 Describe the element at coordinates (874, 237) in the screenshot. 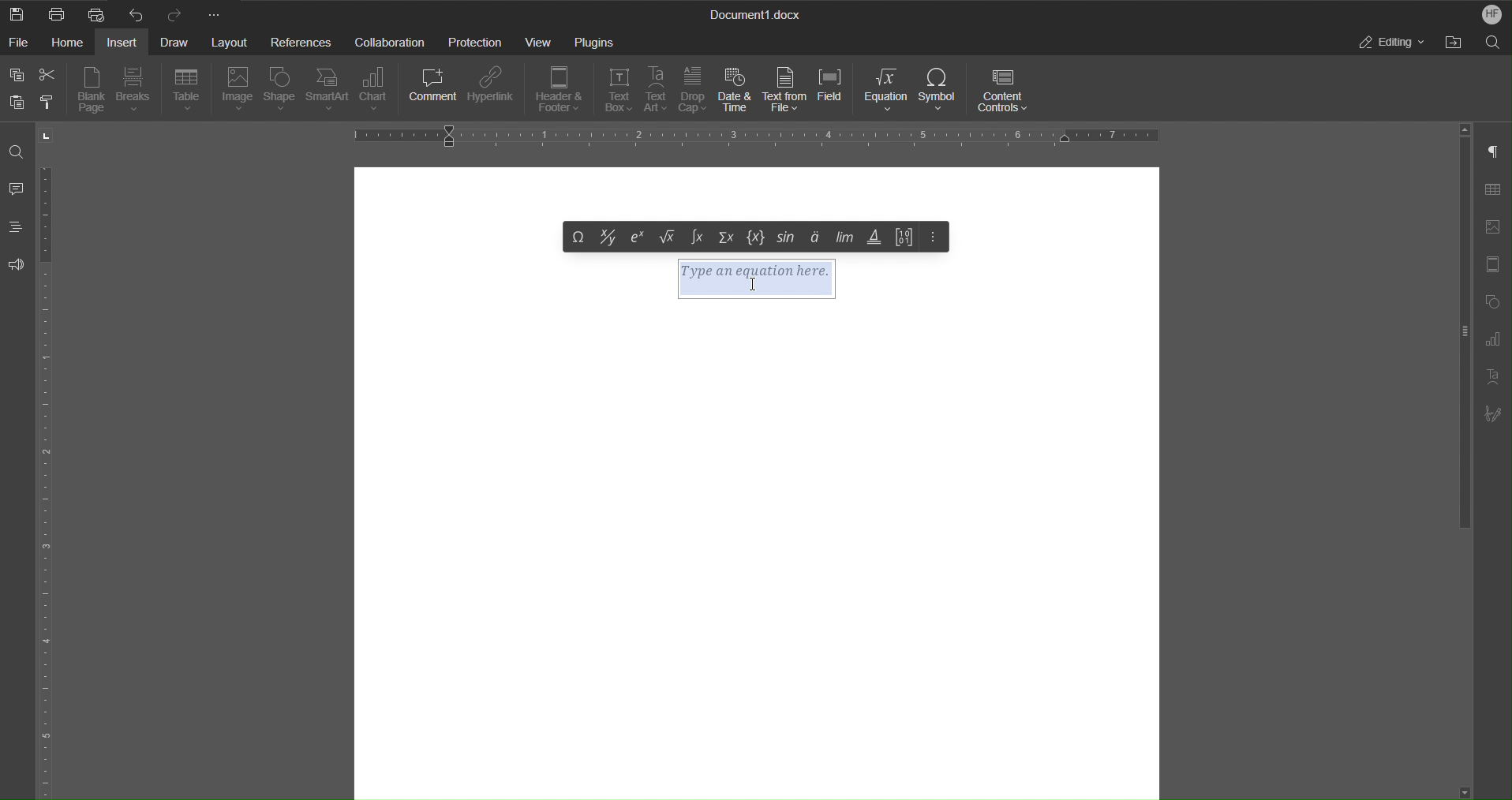

I see `Operators` at that location.